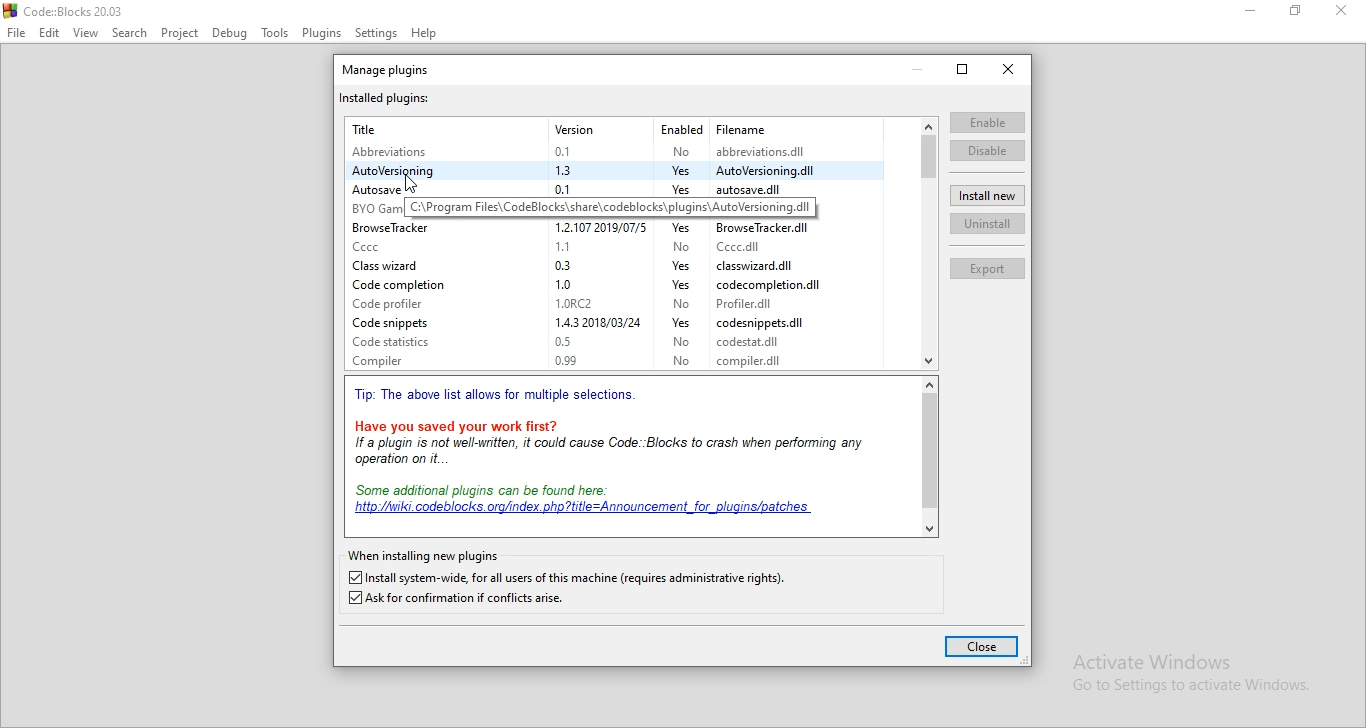 Image resolution: width=1366 pixels, height=728 pixels. I want to click on Class wizard, so click(396, 266).